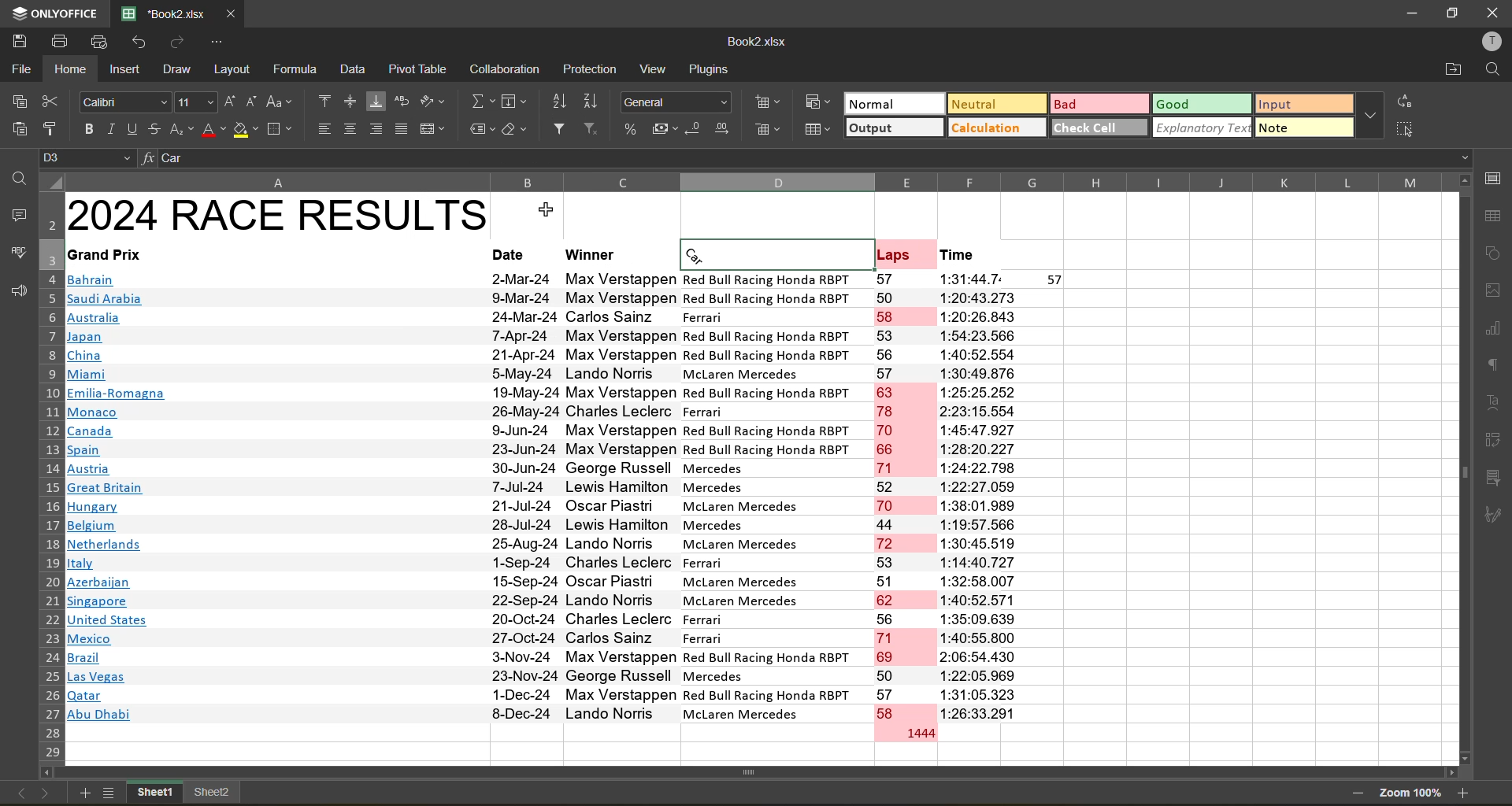 The width and height of the screenshot is (1512, 806). Describe the element at coordinates (152, 128) in the screenshot. I see `strikethrough` at that location.